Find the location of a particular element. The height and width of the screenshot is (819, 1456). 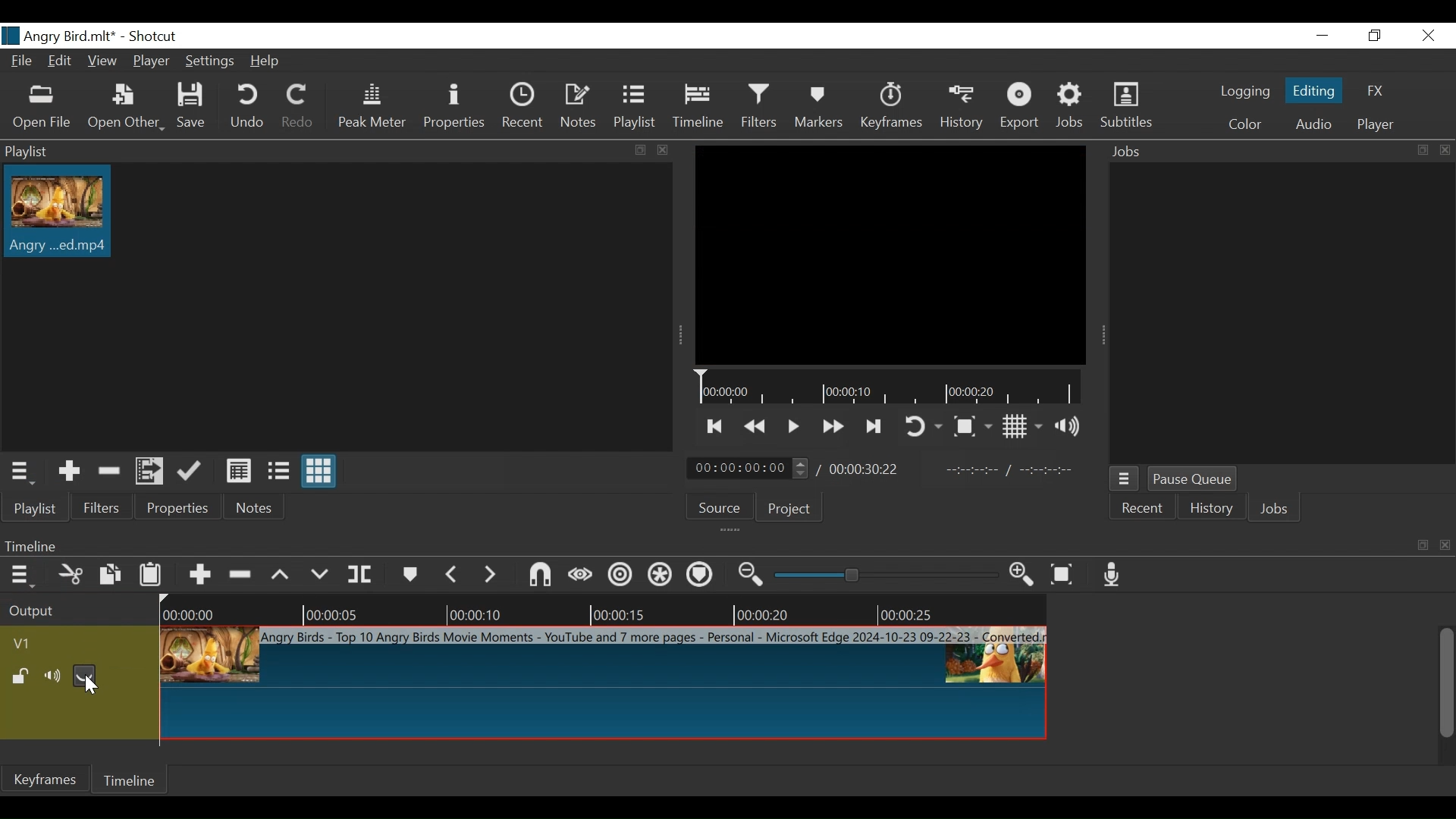

Timeline is located at coordinates (130, 780).